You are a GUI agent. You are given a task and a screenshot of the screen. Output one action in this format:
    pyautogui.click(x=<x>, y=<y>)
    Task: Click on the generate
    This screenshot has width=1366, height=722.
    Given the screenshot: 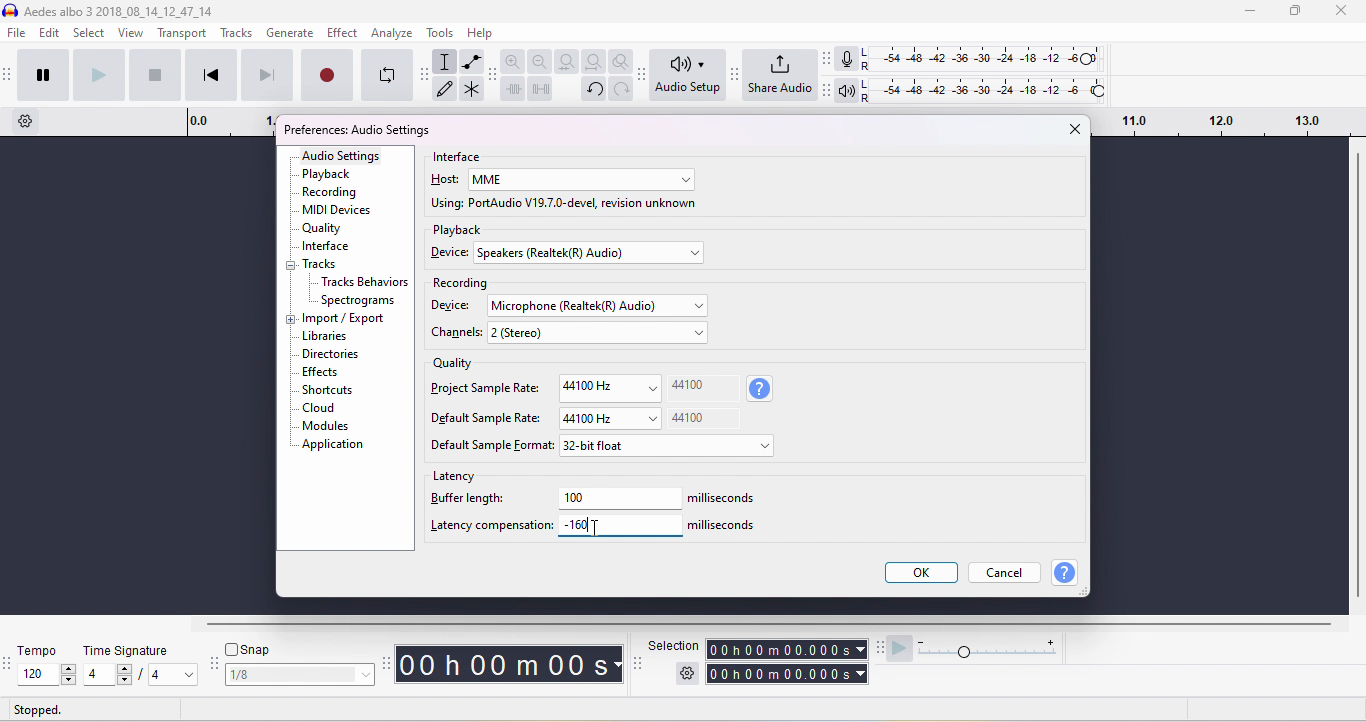 What is the action you would take?
    pyautogui.click(x=291, y=34)
    